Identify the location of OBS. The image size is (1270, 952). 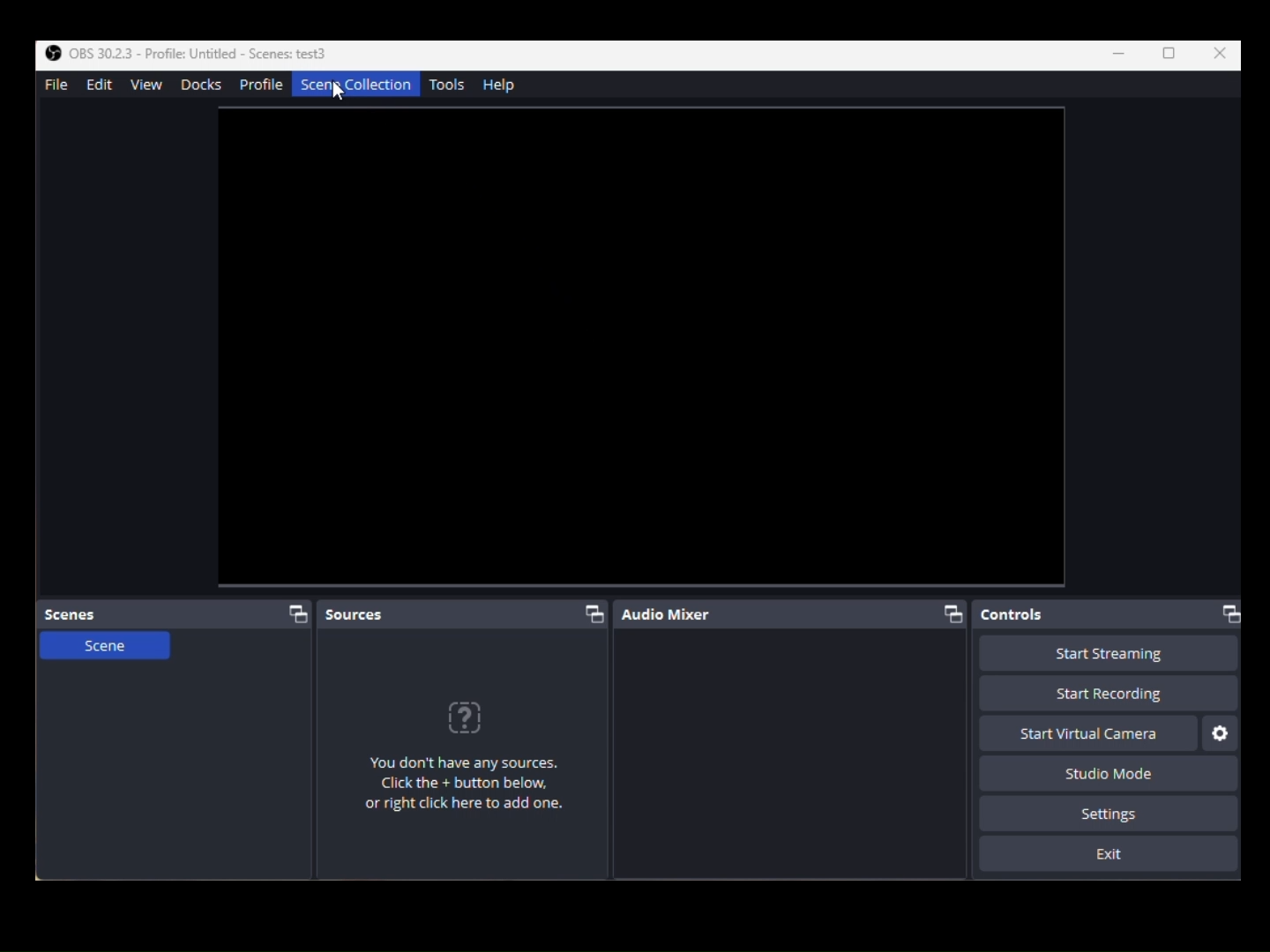
(182, 53).